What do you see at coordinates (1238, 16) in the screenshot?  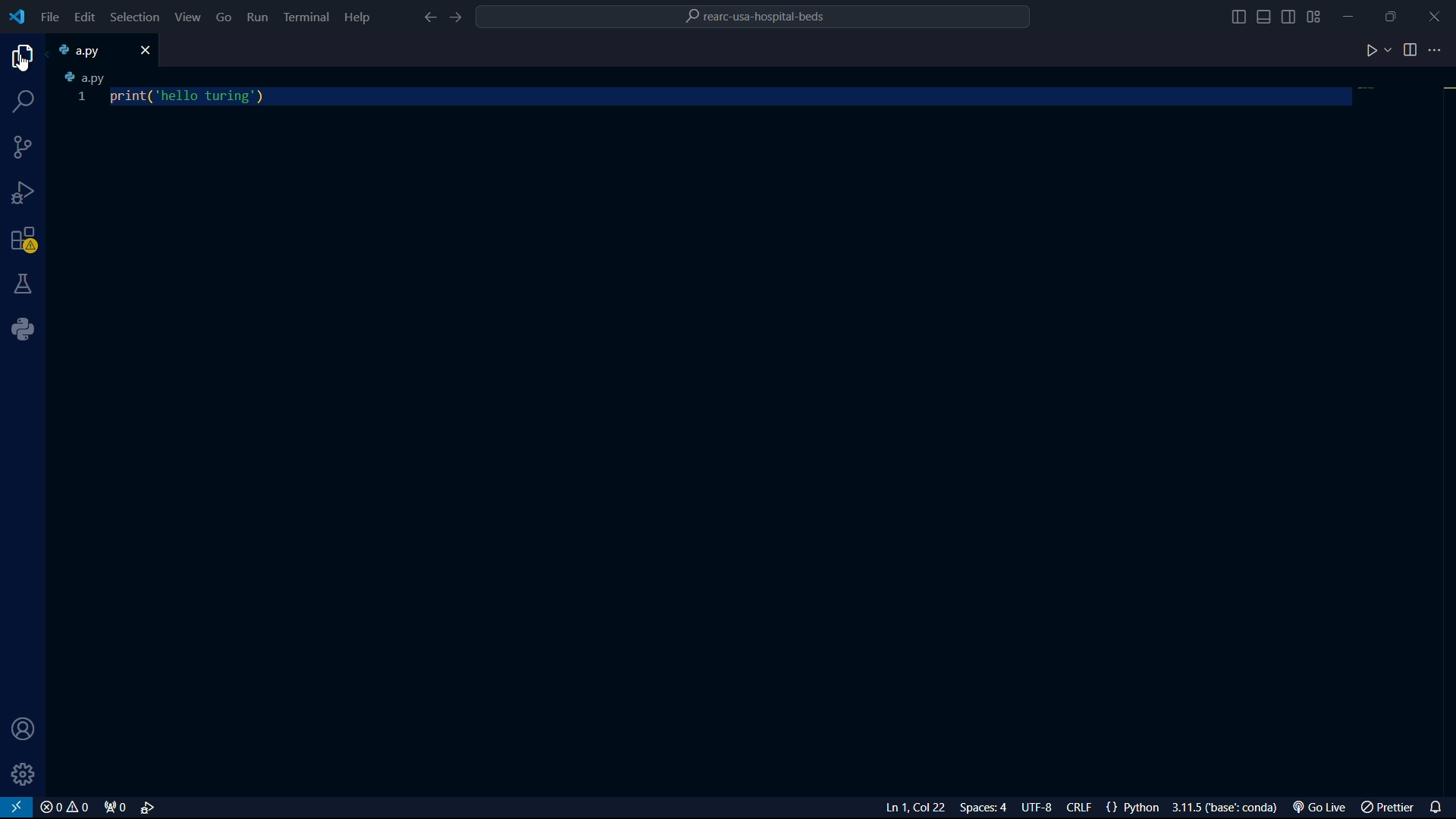 I see `toggle primary sidebar` at bounding box center [1238, 16].